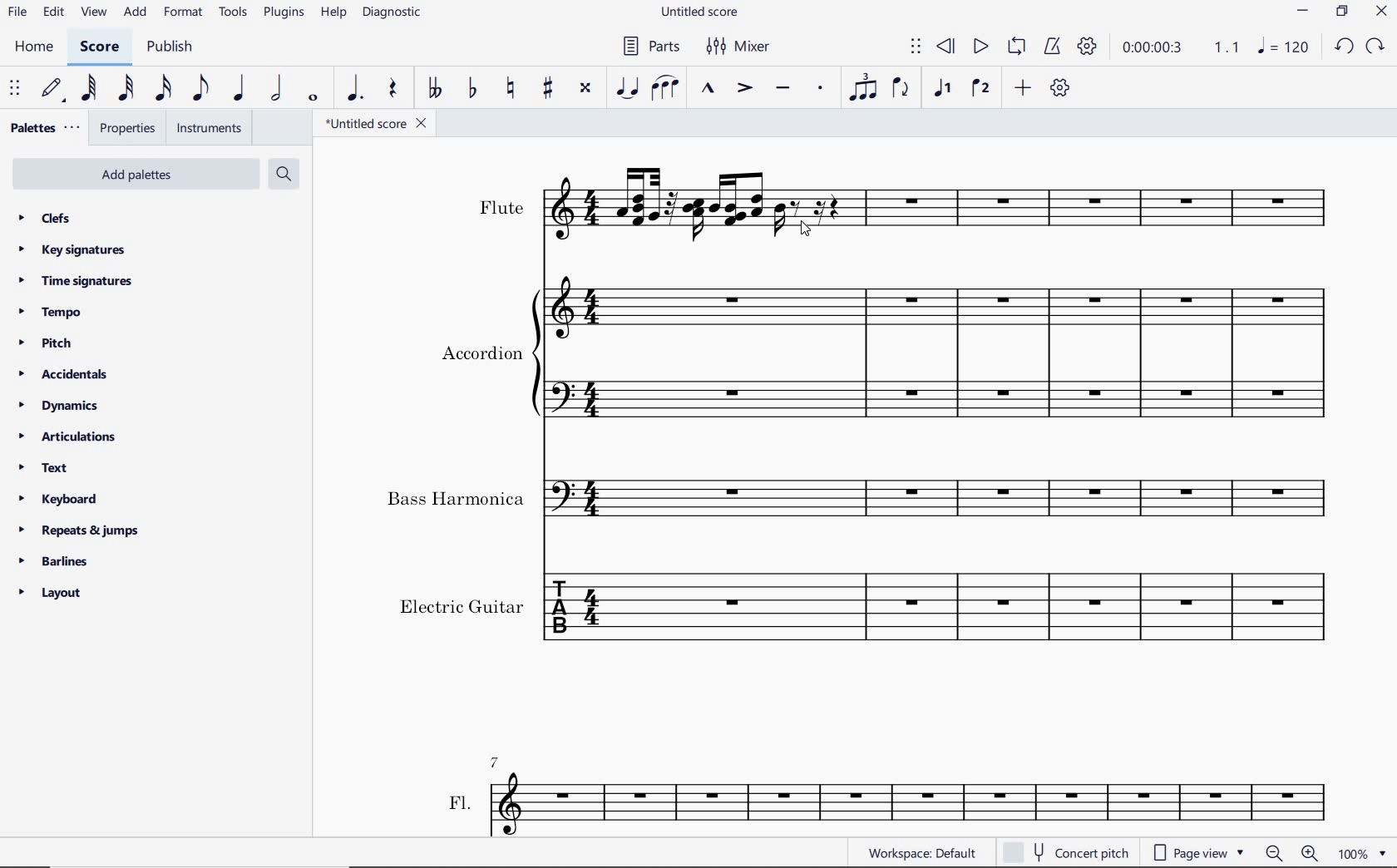 The height and width of the screenshot is (868, 1397). What do you see at coordinates (97, 50) in the screenshot?
I see `SCORE` at bounding box center [97, 50].